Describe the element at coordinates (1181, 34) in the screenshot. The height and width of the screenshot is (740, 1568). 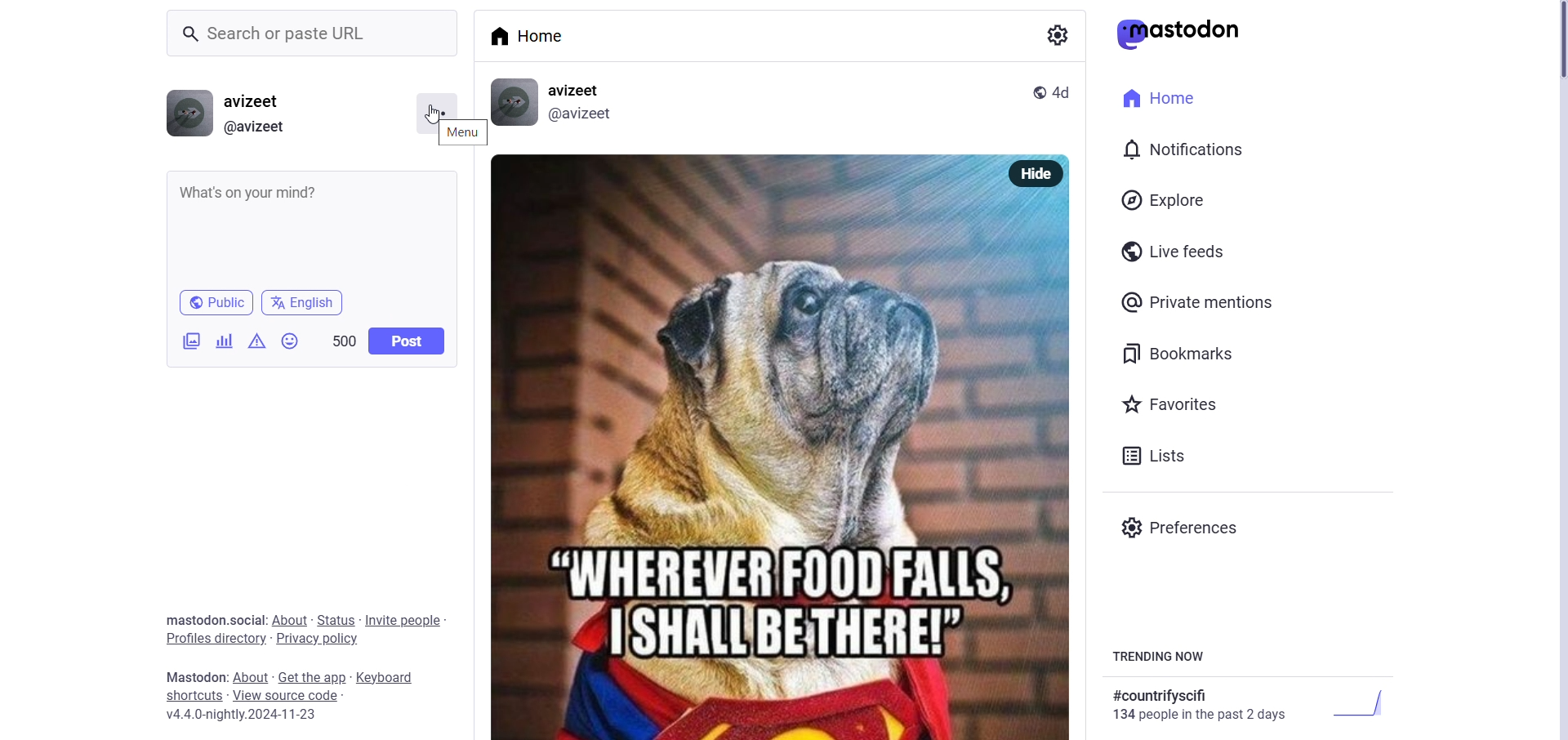
I see `mastodon` at that location.